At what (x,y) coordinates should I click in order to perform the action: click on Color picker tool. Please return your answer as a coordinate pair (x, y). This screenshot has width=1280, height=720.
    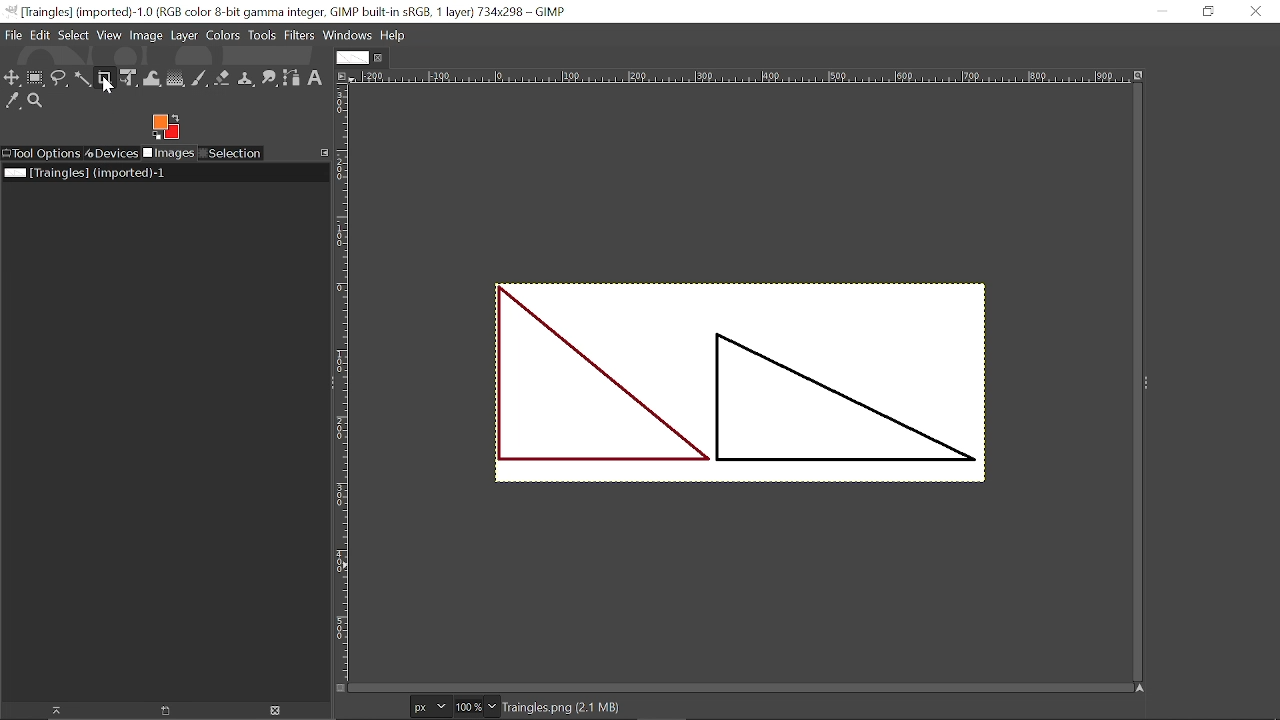
    Looking at the image, I should click on (13, 101).